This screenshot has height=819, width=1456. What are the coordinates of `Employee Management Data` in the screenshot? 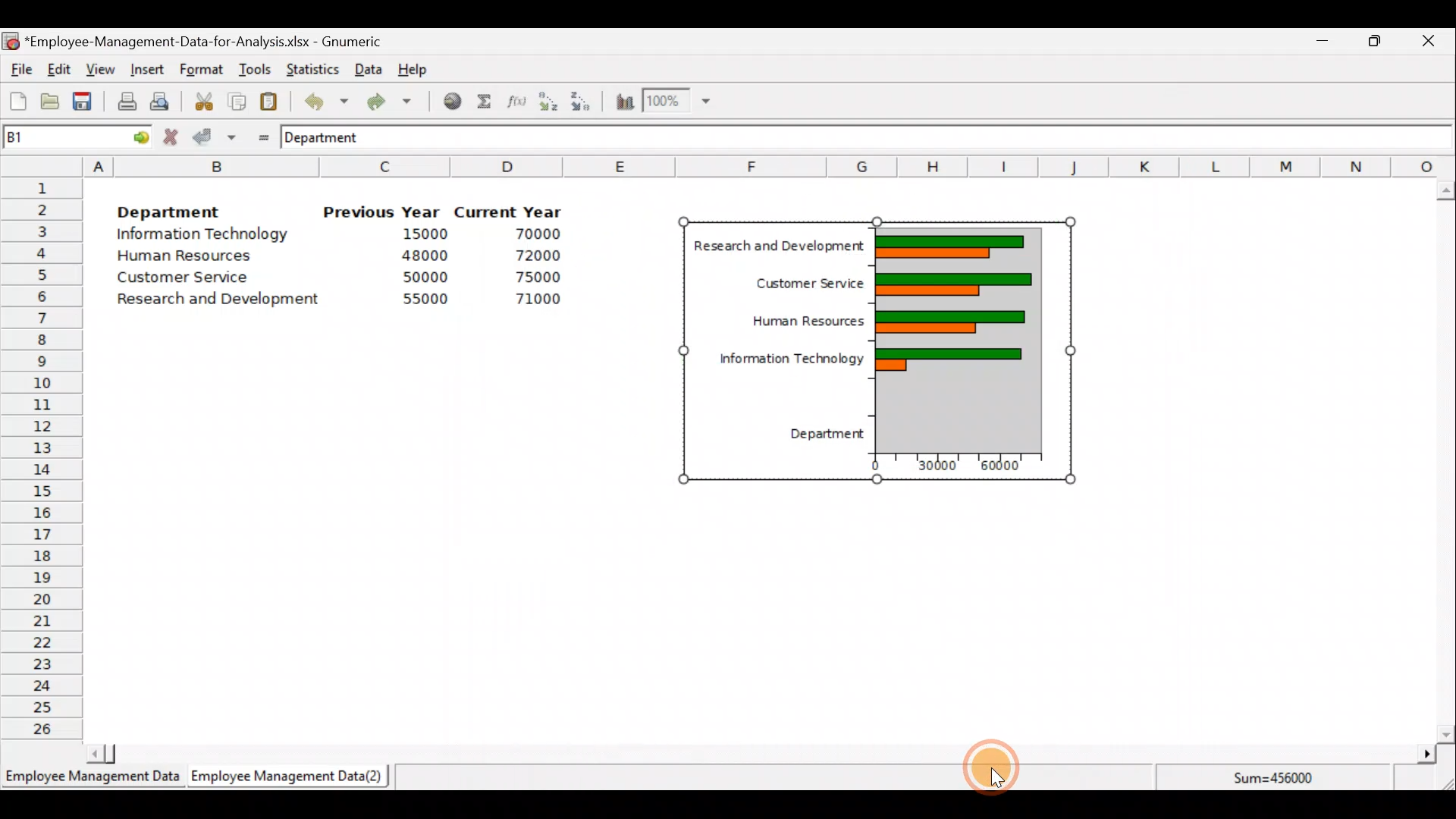 It's located at (91, 781).